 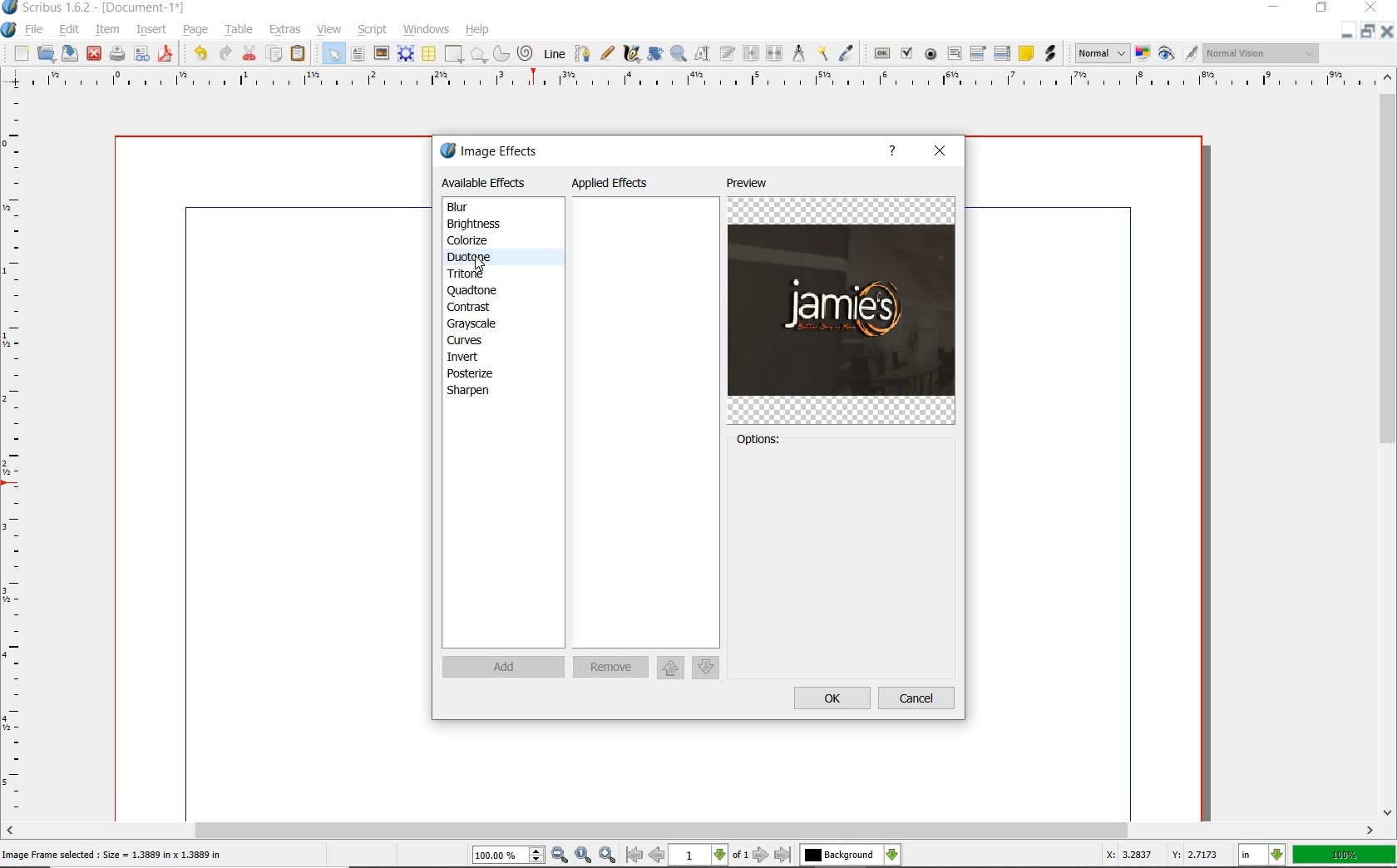 What do you see at coordinates (501, 54) in the screenshot?
I see `ARC` at bounding box center [501, 54].